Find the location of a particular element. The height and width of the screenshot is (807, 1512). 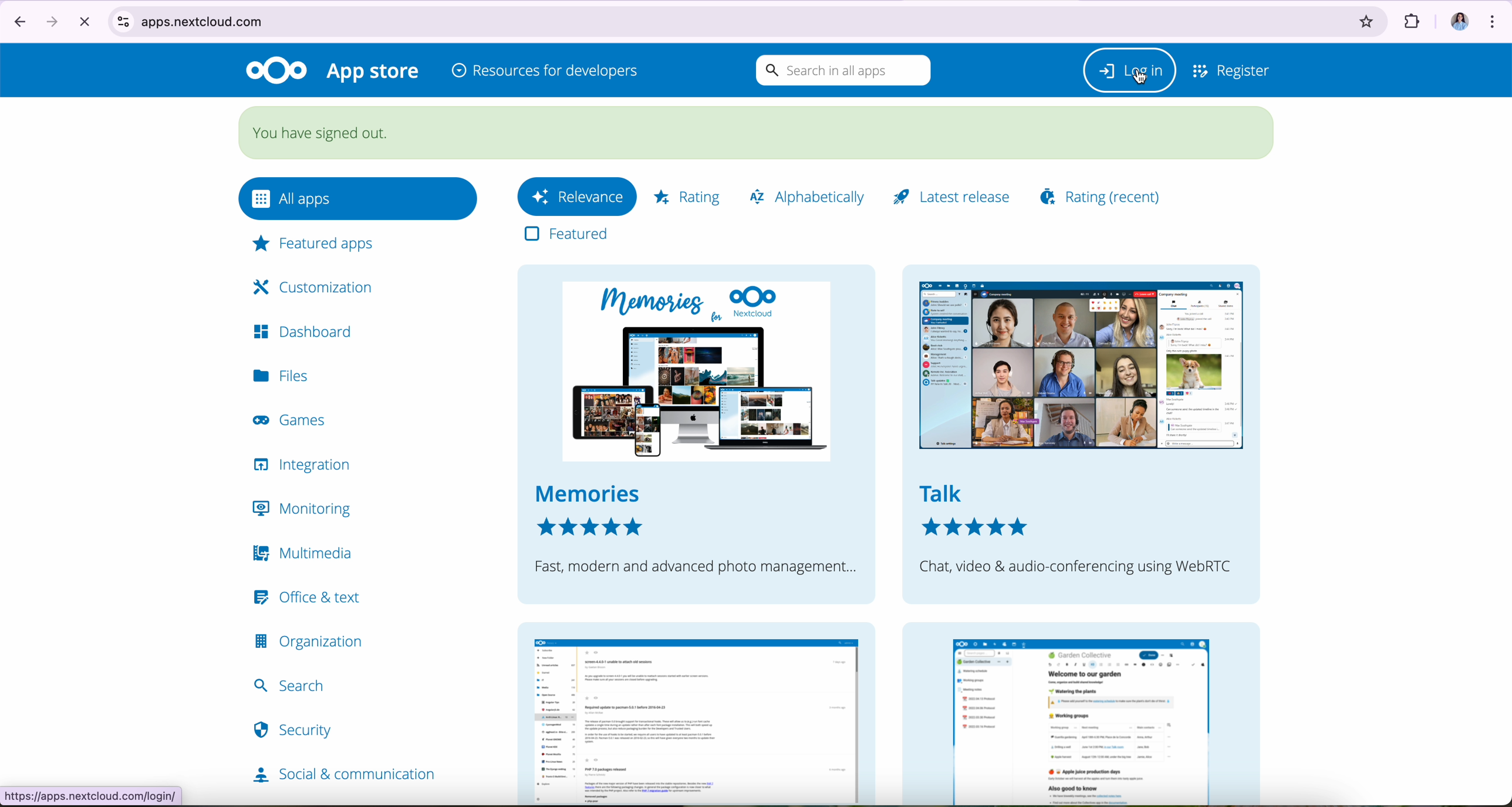

resources for developers is located at coordinates (545, 72).